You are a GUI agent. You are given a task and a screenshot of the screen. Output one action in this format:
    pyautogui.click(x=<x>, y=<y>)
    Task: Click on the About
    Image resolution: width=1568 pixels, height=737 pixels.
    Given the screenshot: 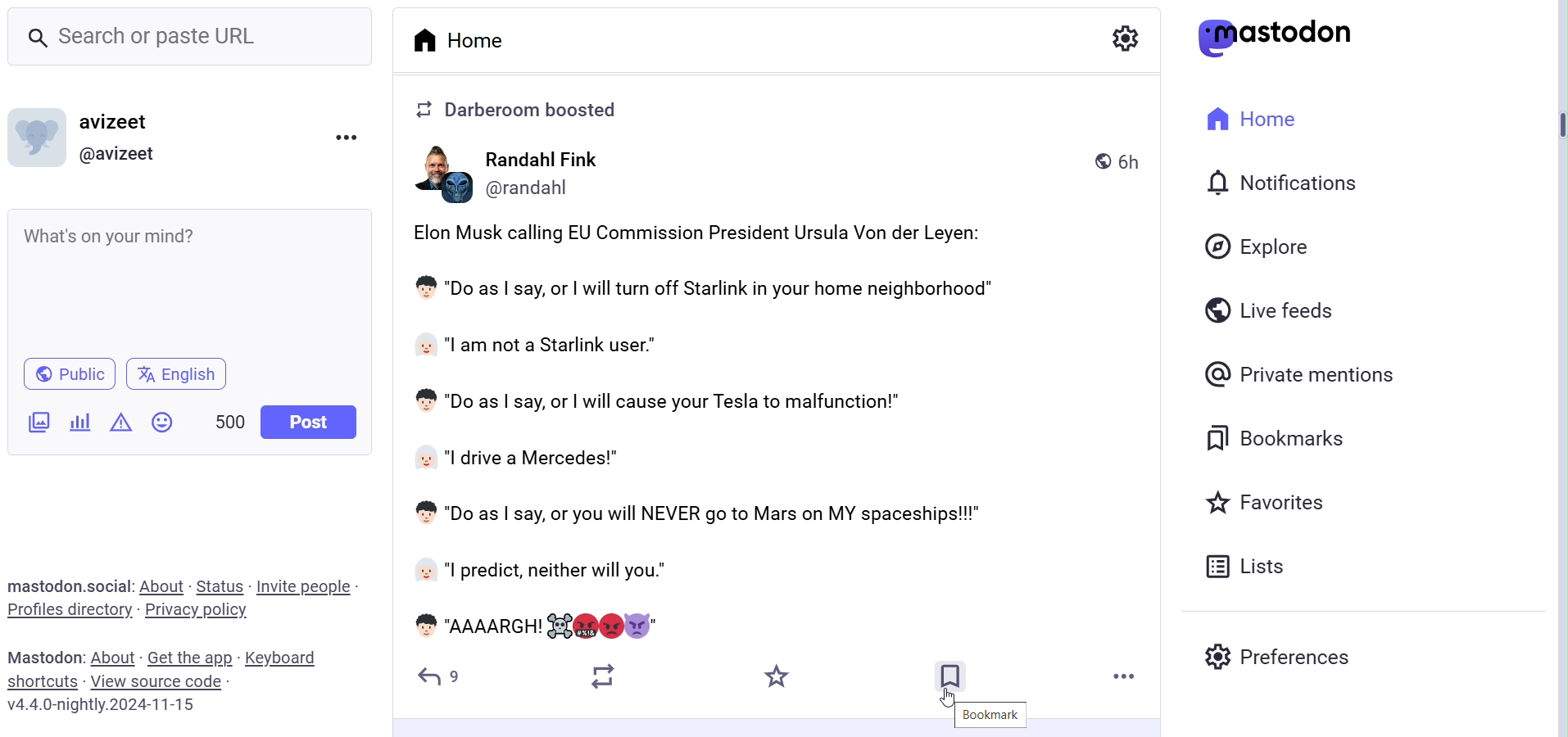 What is the action you would take?
    pyautogui.click(x=116, y=659)
    